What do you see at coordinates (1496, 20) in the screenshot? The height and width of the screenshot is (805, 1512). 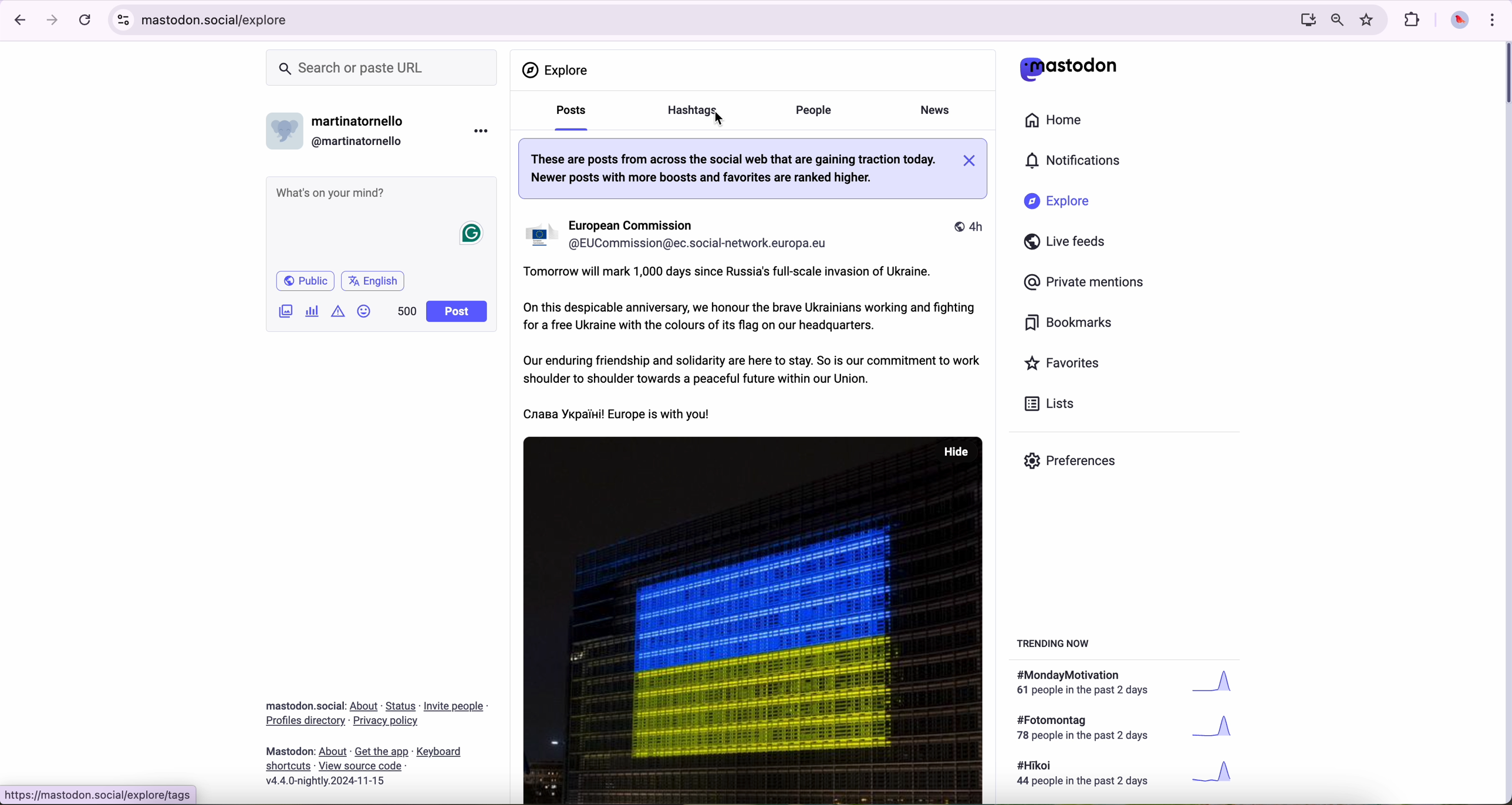 I see `customize and control Google Chrome` at bounding box center [1496, 20].